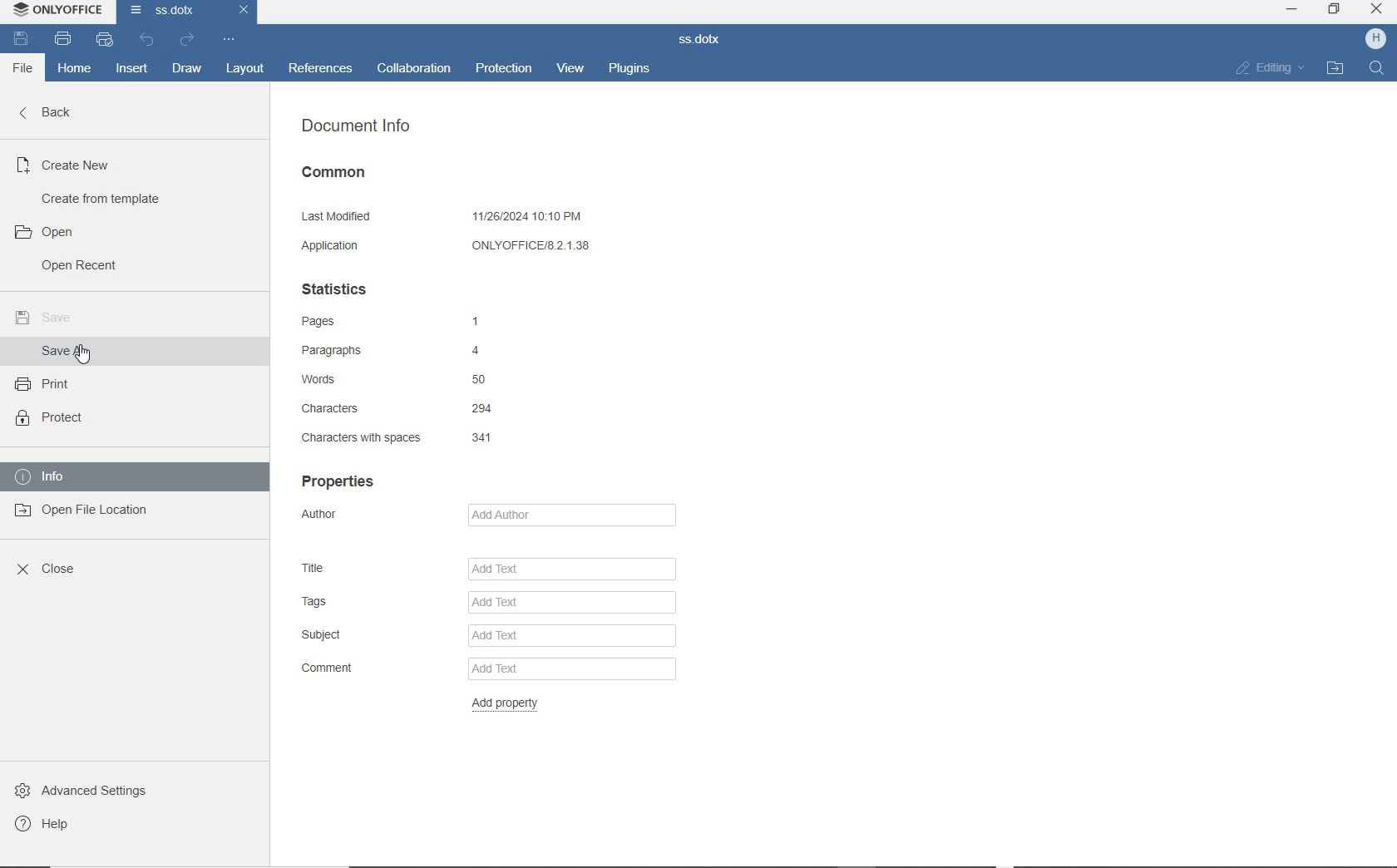 This screenshot has height=868, width=1397. Describe the element at coordinates (318, 68) in the screenshot. I see `REFERENCES` at that location.